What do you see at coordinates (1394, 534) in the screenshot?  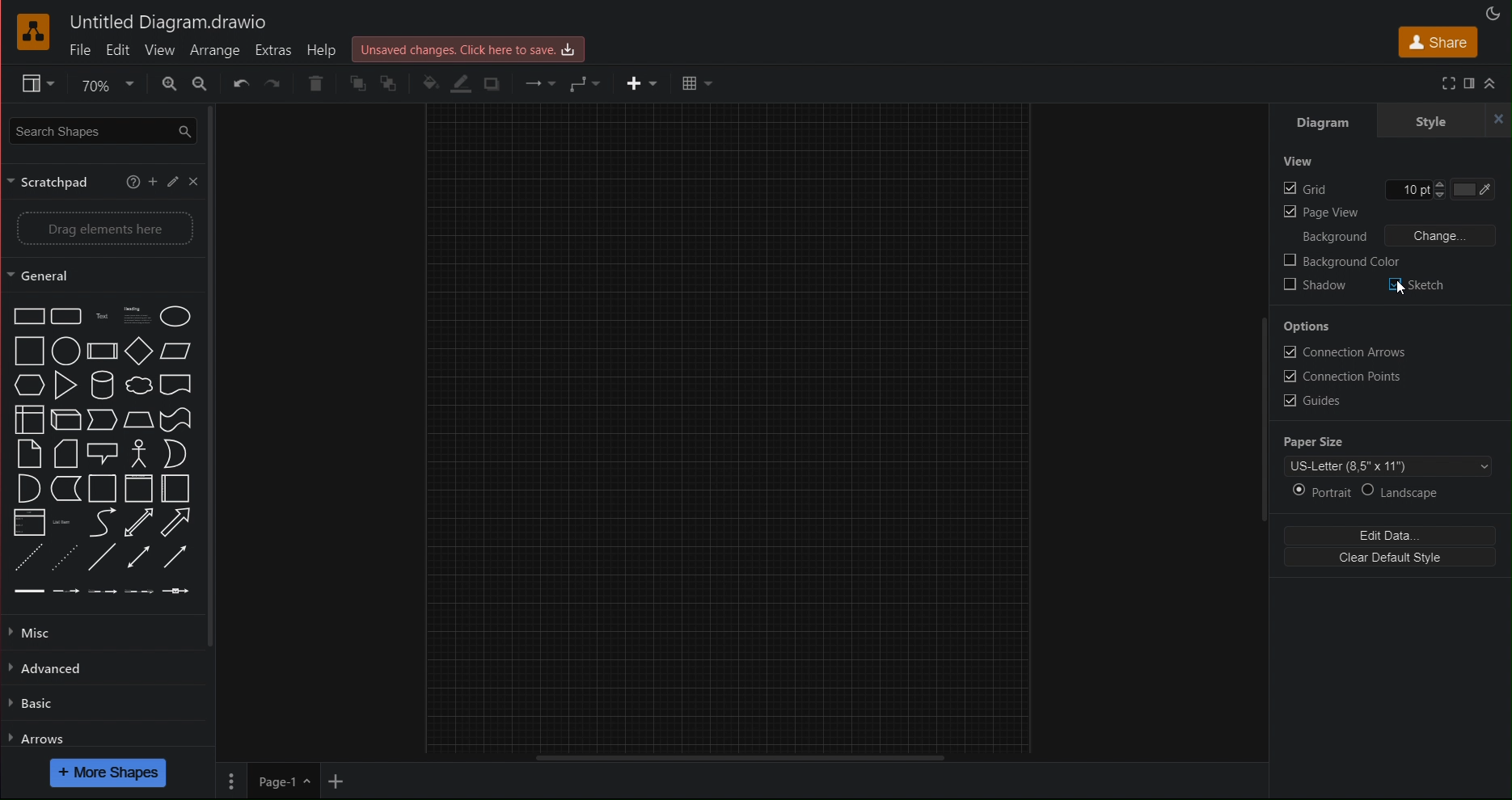 I see `Edit Data` at bounding box center [1394, 534].